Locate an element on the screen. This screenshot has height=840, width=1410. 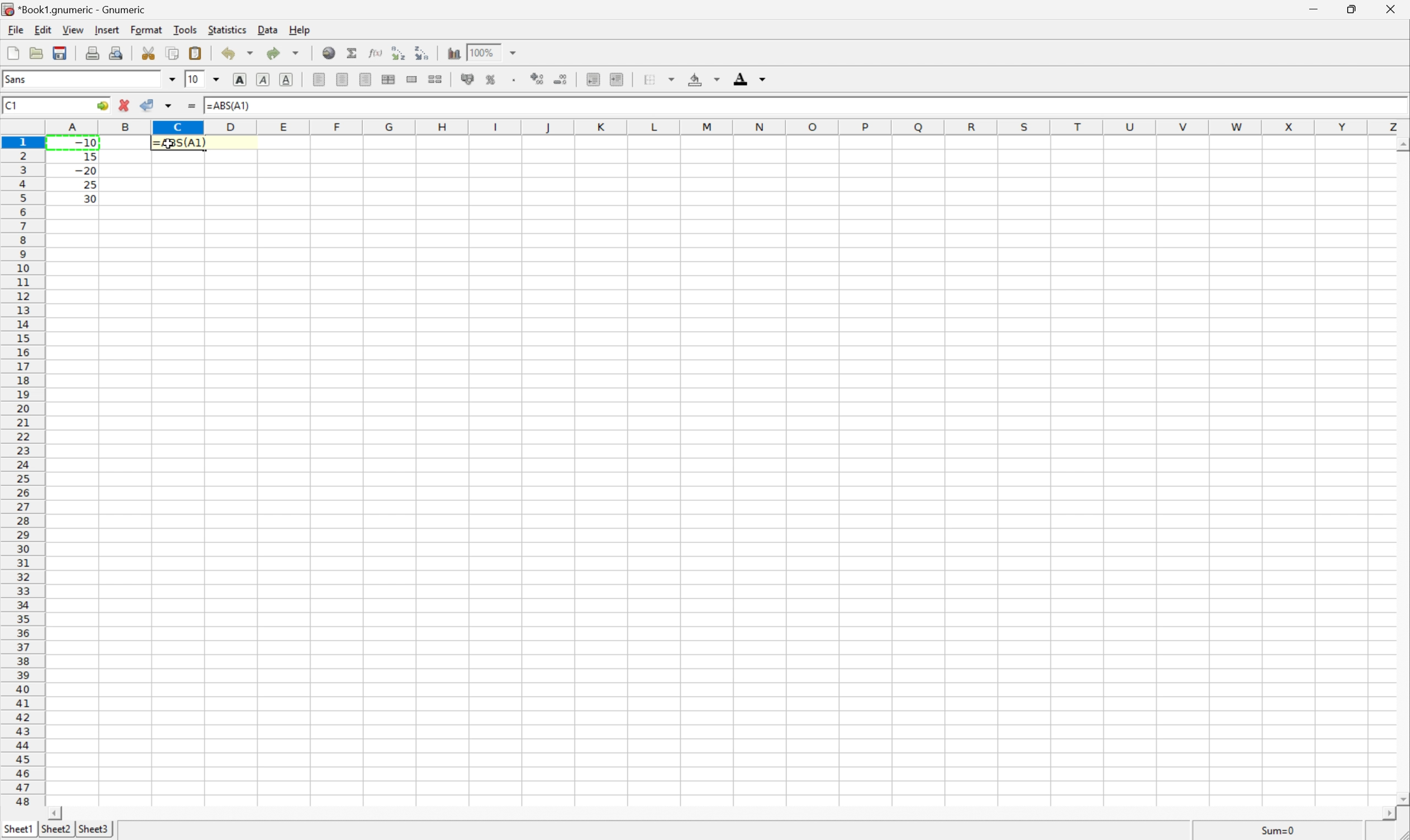
30 is located at coordinates (87, 198).